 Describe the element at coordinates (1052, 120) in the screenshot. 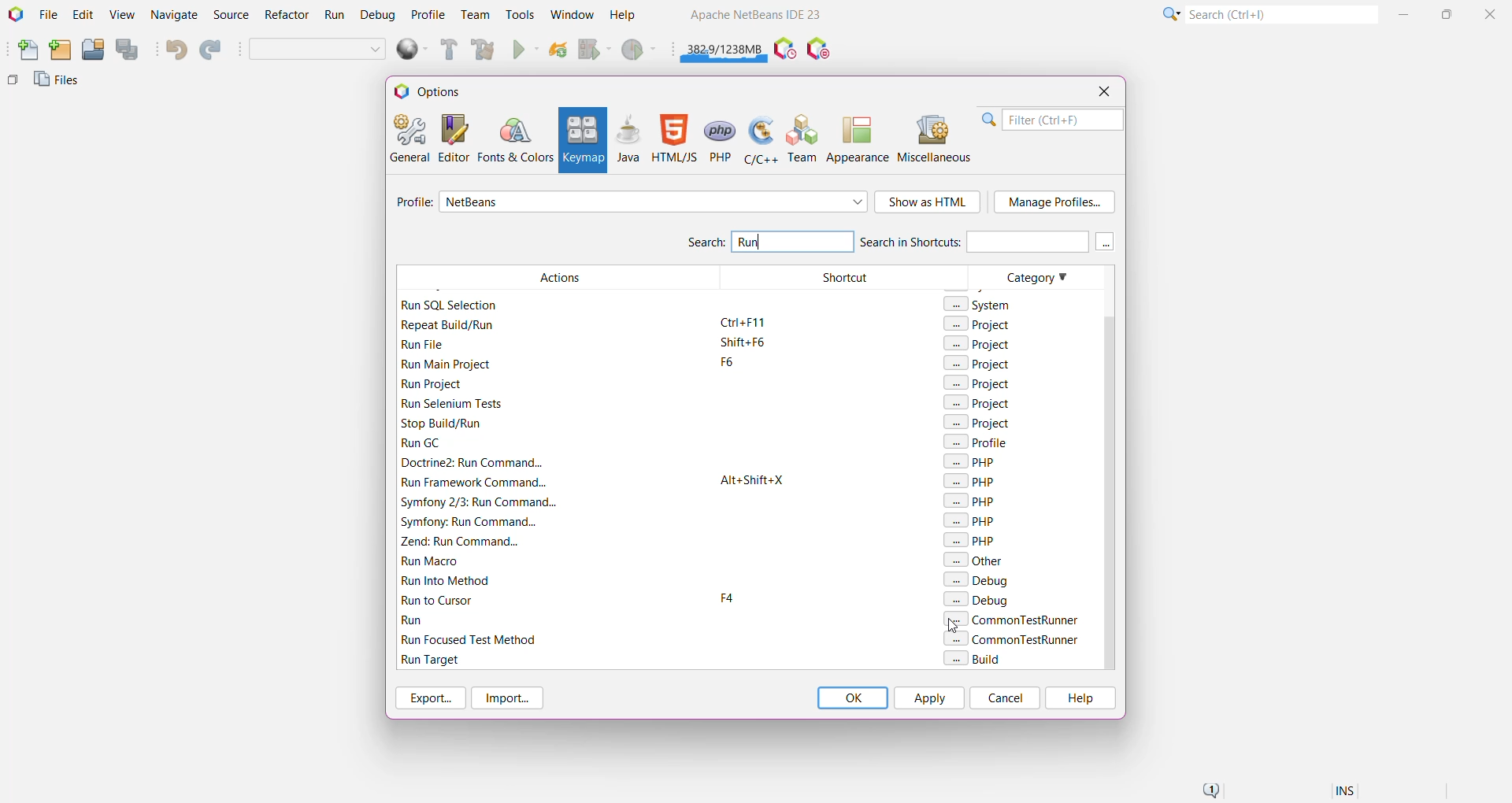

I see `Filter` at that location.